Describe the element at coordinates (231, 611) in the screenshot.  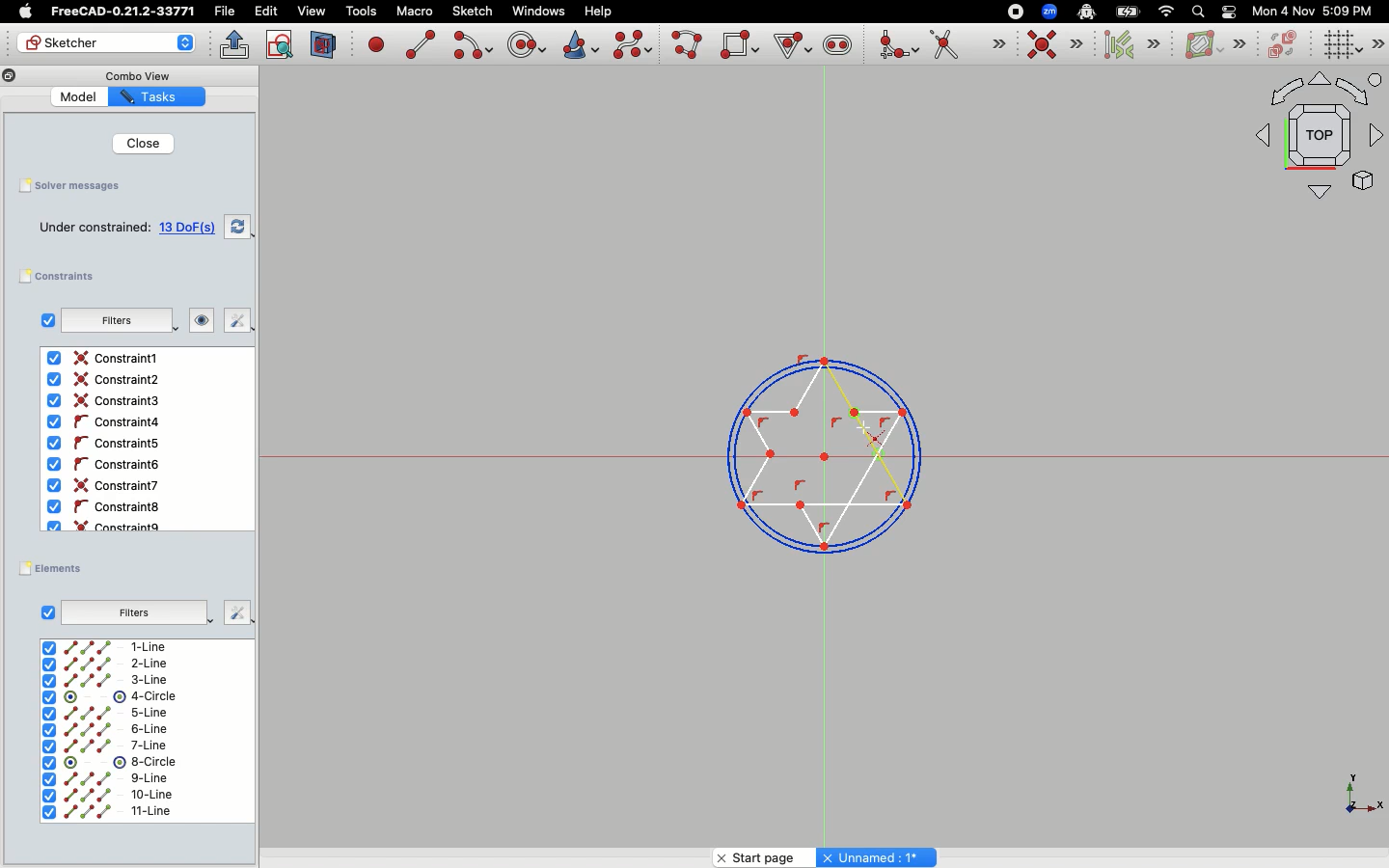
I see `Fix` at that location.